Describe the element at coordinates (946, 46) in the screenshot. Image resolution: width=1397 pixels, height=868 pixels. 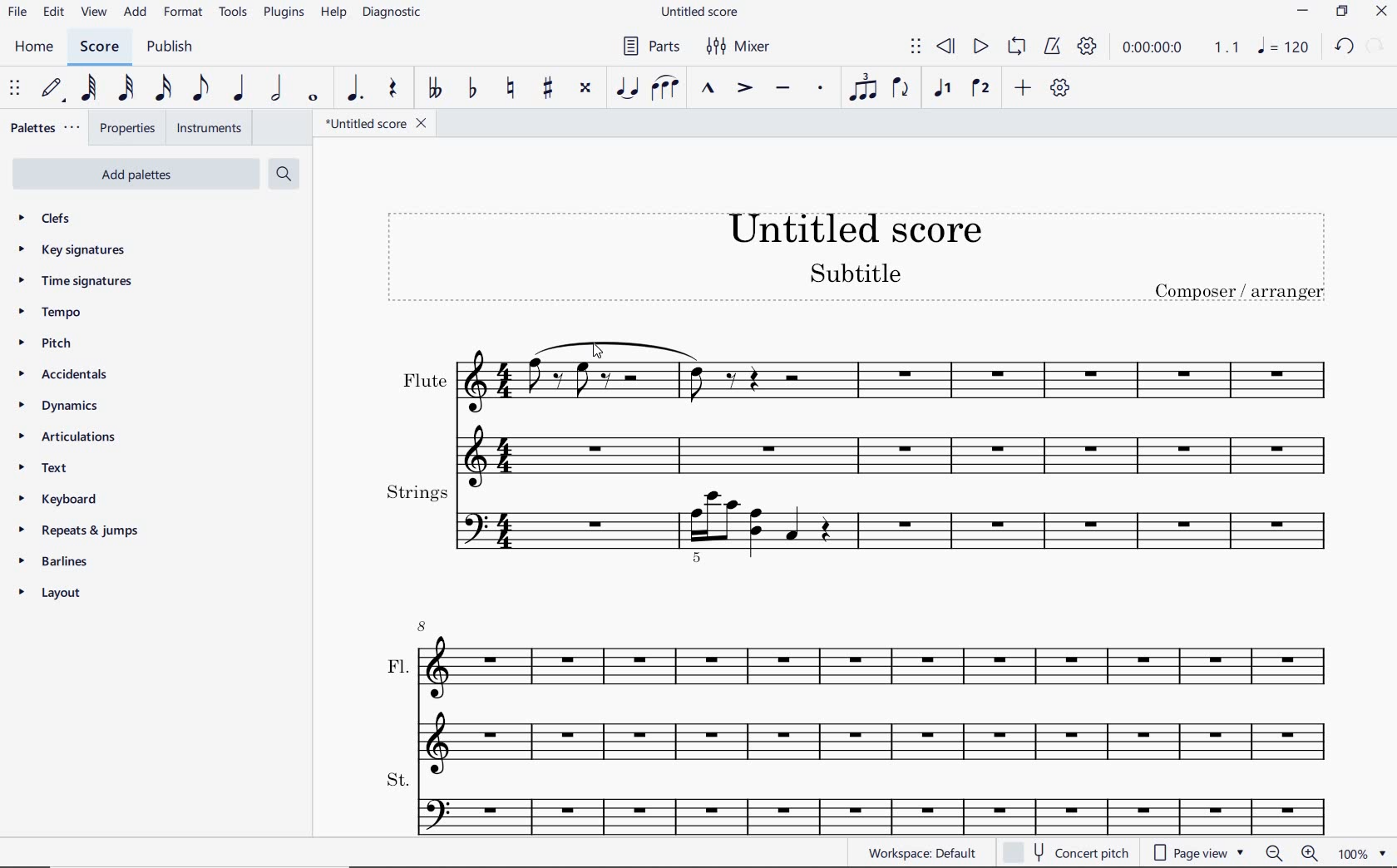
I see `REWIND` at that location.